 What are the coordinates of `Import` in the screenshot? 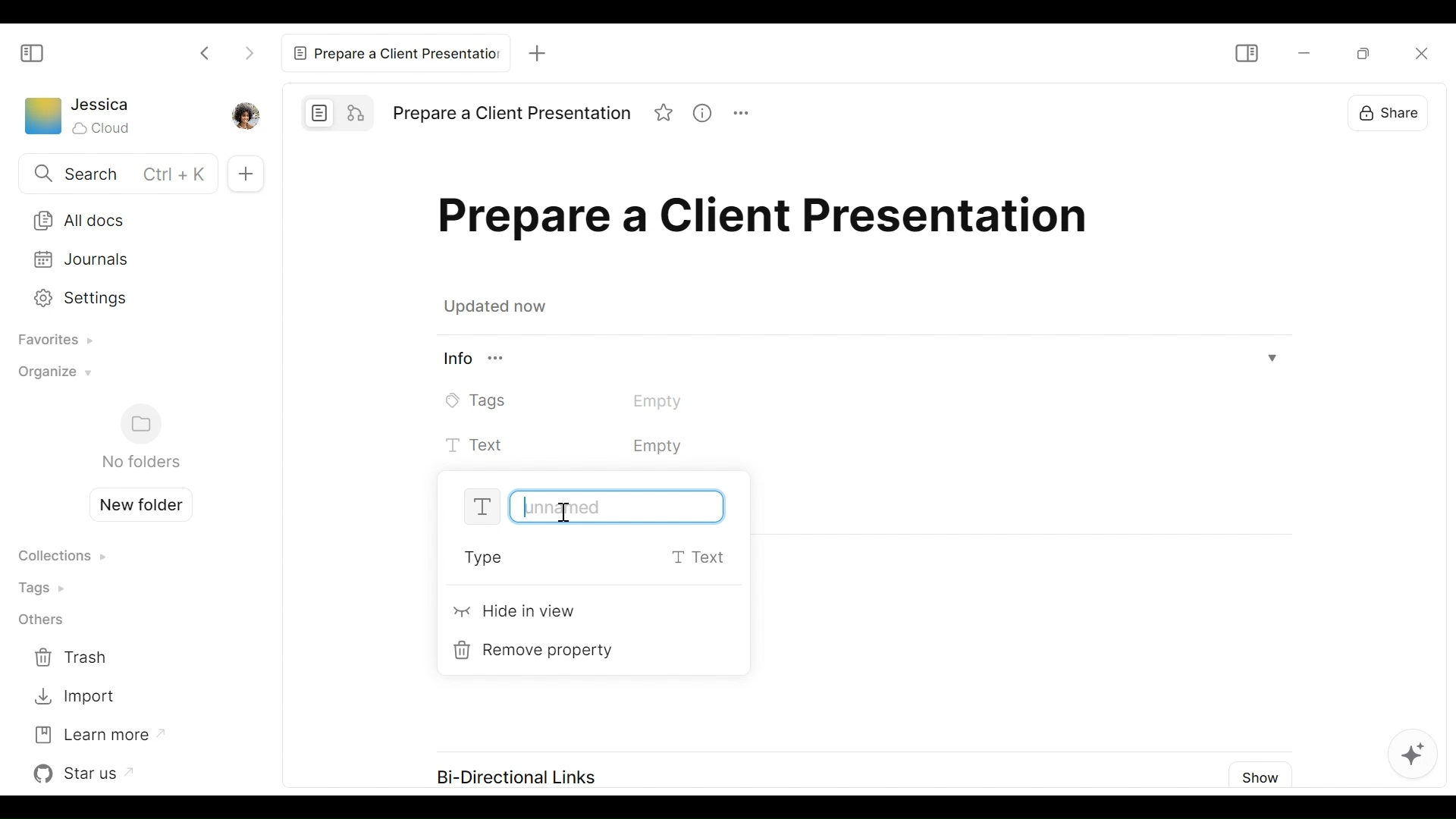 It's located at (74, 697).